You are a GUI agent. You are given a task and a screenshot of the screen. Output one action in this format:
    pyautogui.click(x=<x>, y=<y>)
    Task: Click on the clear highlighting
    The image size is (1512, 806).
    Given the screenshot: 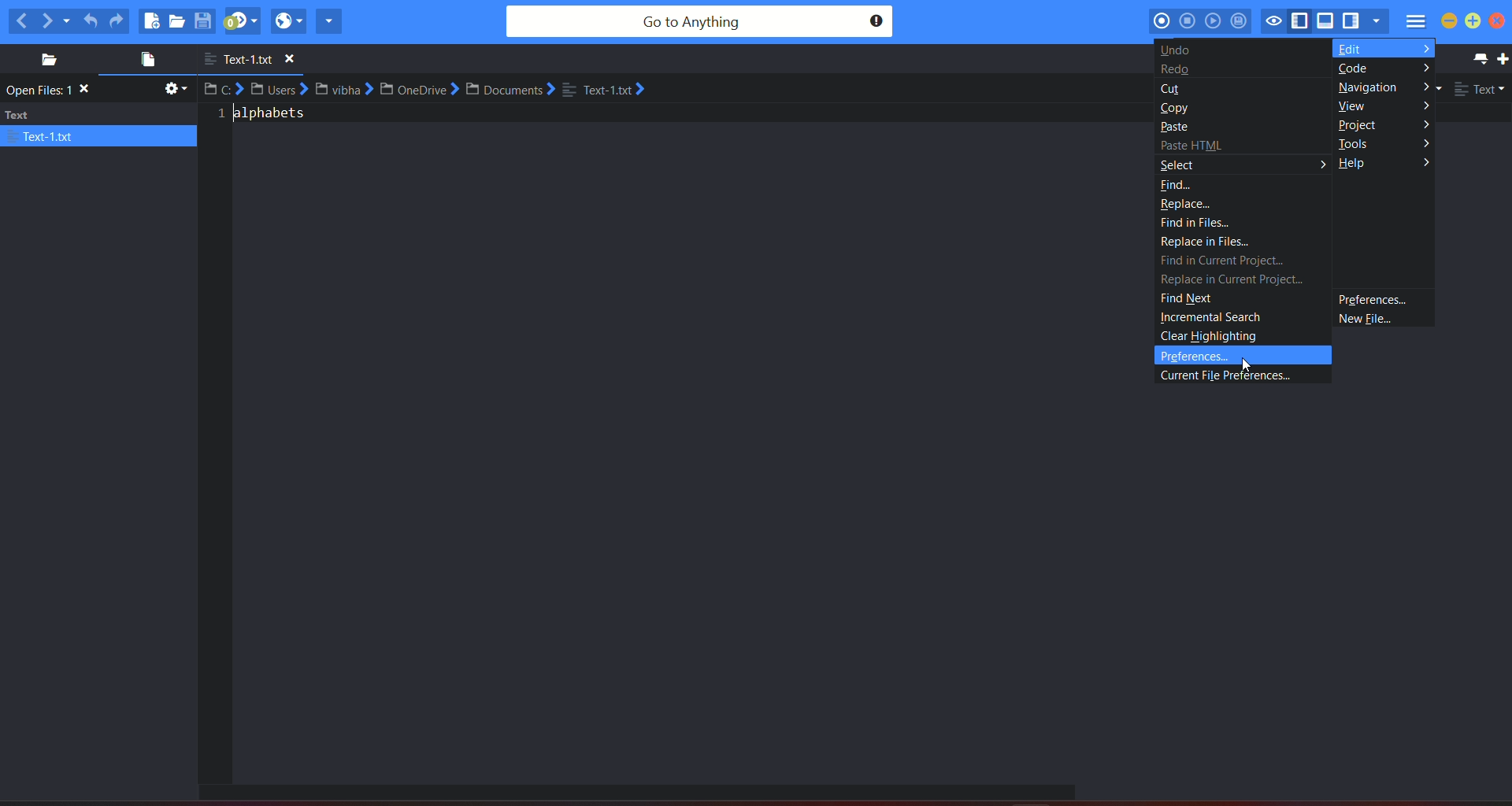 What is the action you would take?
    pyautogui.click(x=1210, y=335)
    